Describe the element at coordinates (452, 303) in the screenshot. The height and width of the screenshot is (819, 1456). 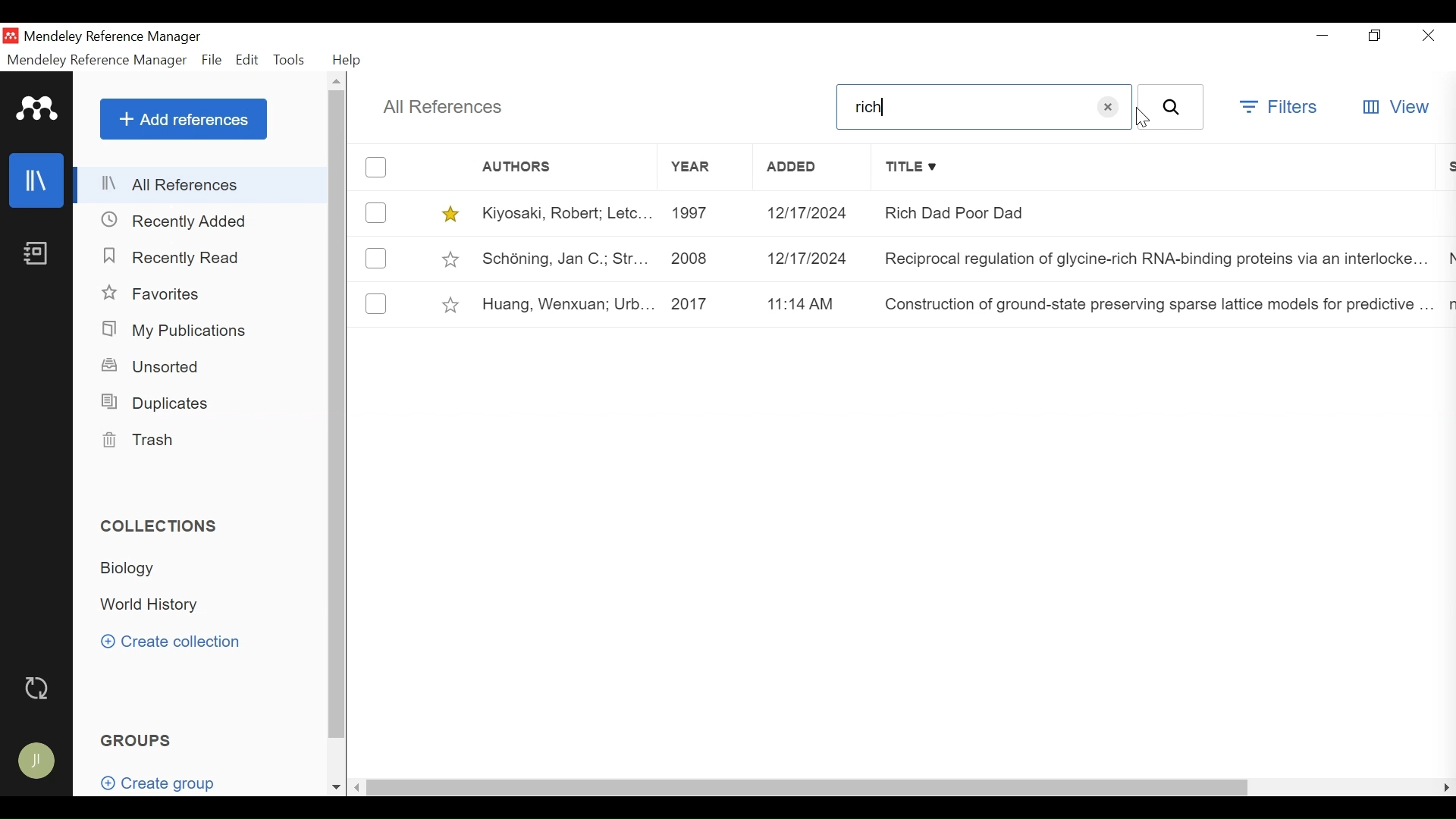
I see `Toggle Favorites` at that location.